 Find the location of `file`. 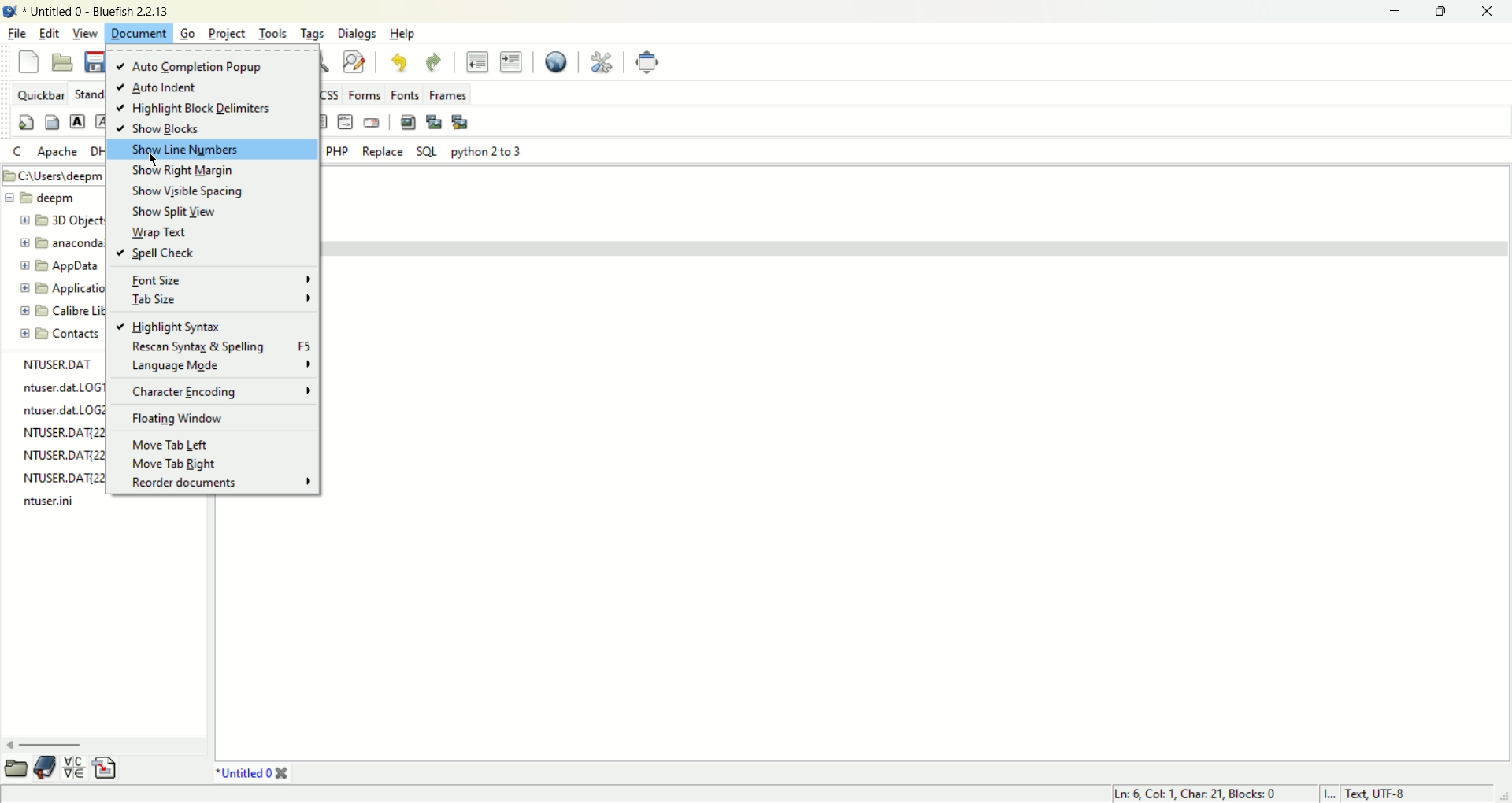

file is located at coordinates (18, 33).